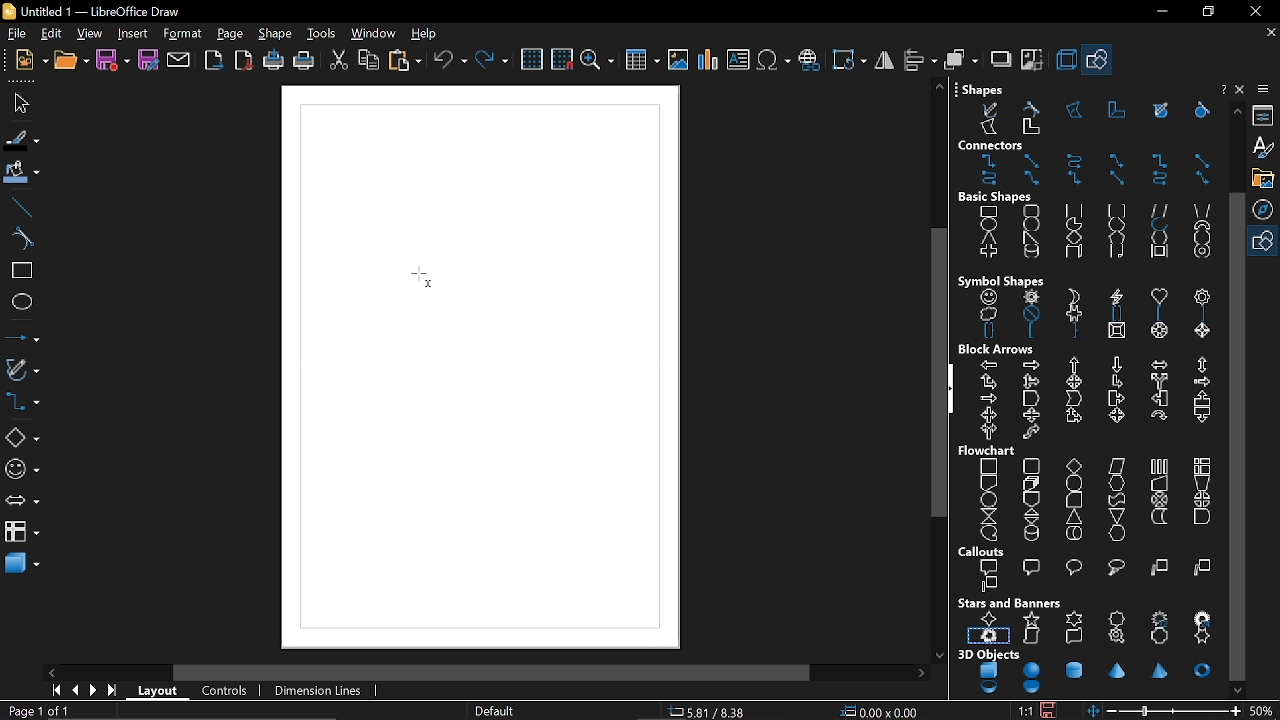 The height and width of the screenshot is (720, 1280). I want to click on print, so click(302, 61).